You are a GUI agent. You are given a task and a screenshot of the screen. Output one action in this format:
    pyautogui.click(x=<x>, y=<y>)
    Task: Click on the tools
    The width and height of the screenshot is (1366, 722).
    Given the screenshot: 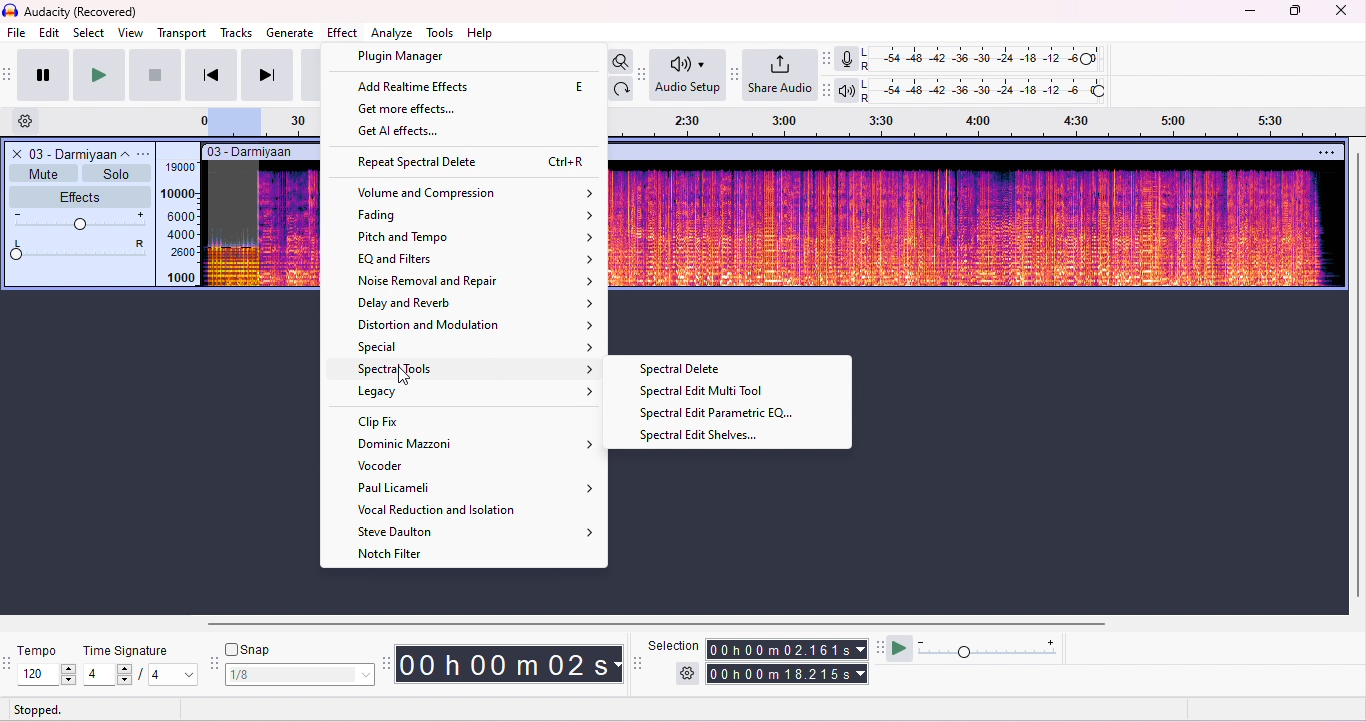 What is the action you would take?
    pyautogui.click(x=439, y=32)
    